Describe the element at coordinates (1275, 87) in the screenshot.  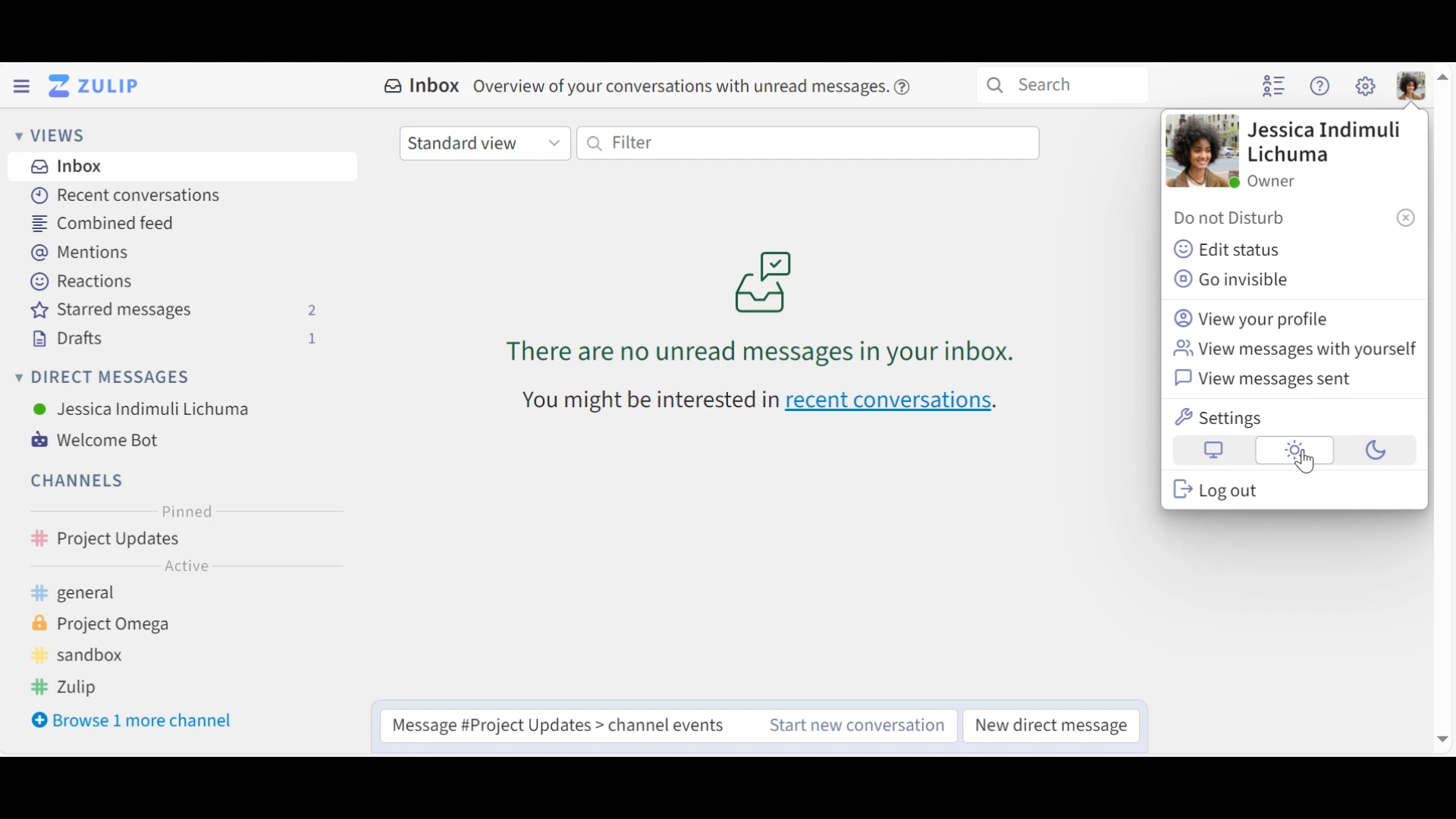
I see `Hide user list` at that location.